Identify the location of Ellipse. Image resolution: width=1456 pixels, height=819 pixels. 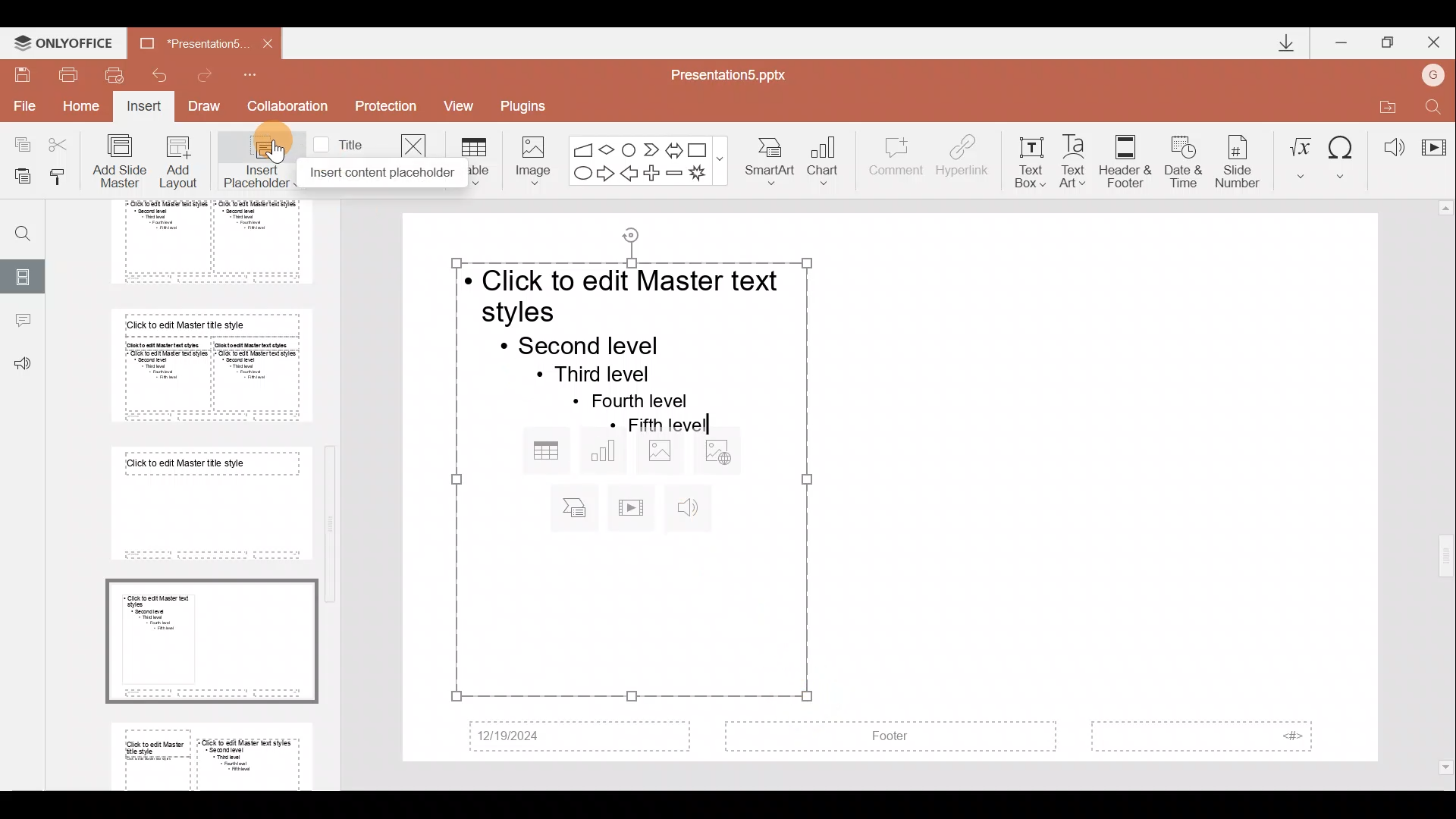
(581, 174).